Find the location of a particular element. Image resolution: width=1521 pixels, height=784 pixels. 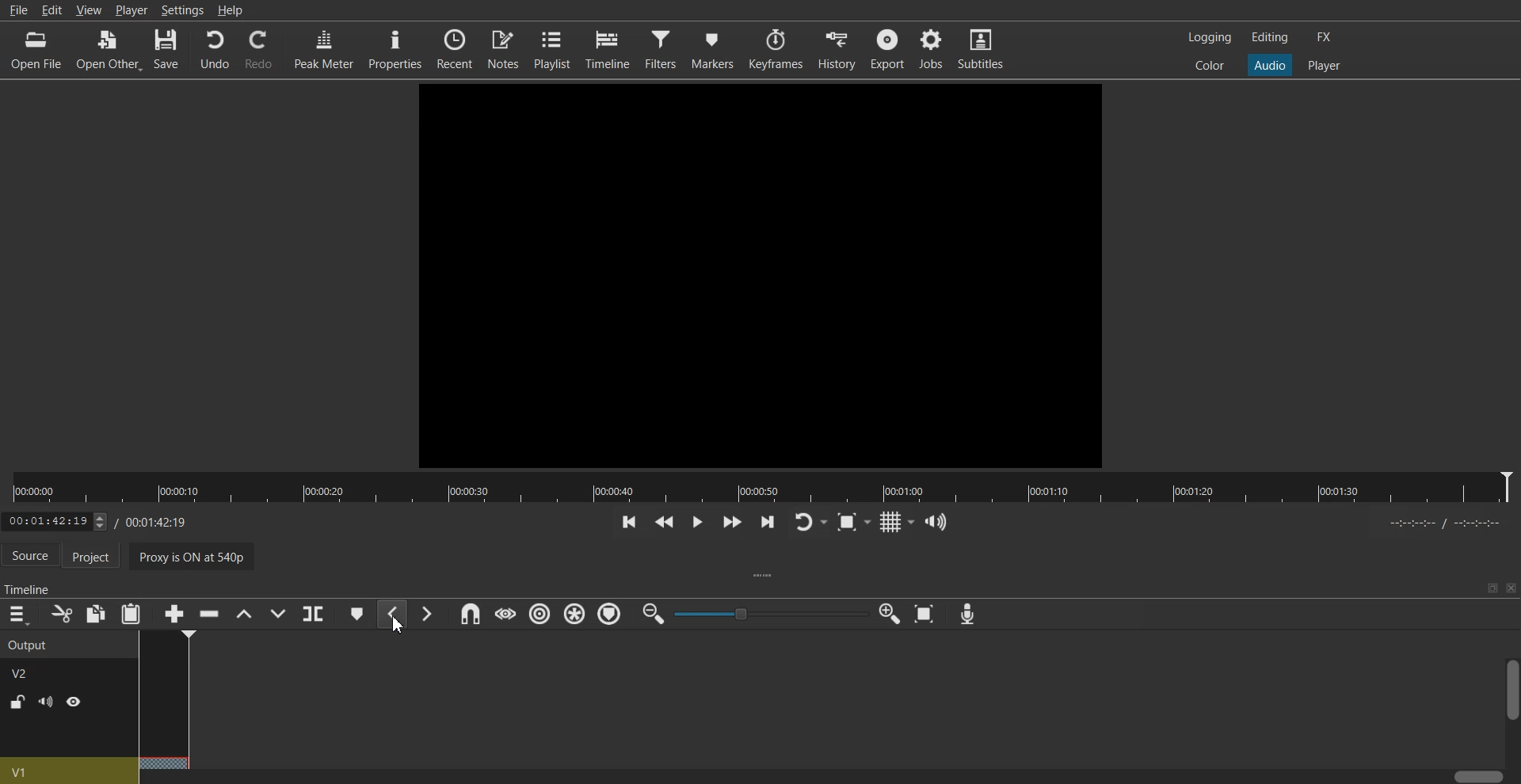

Properties is located at coordinates (395, 49).